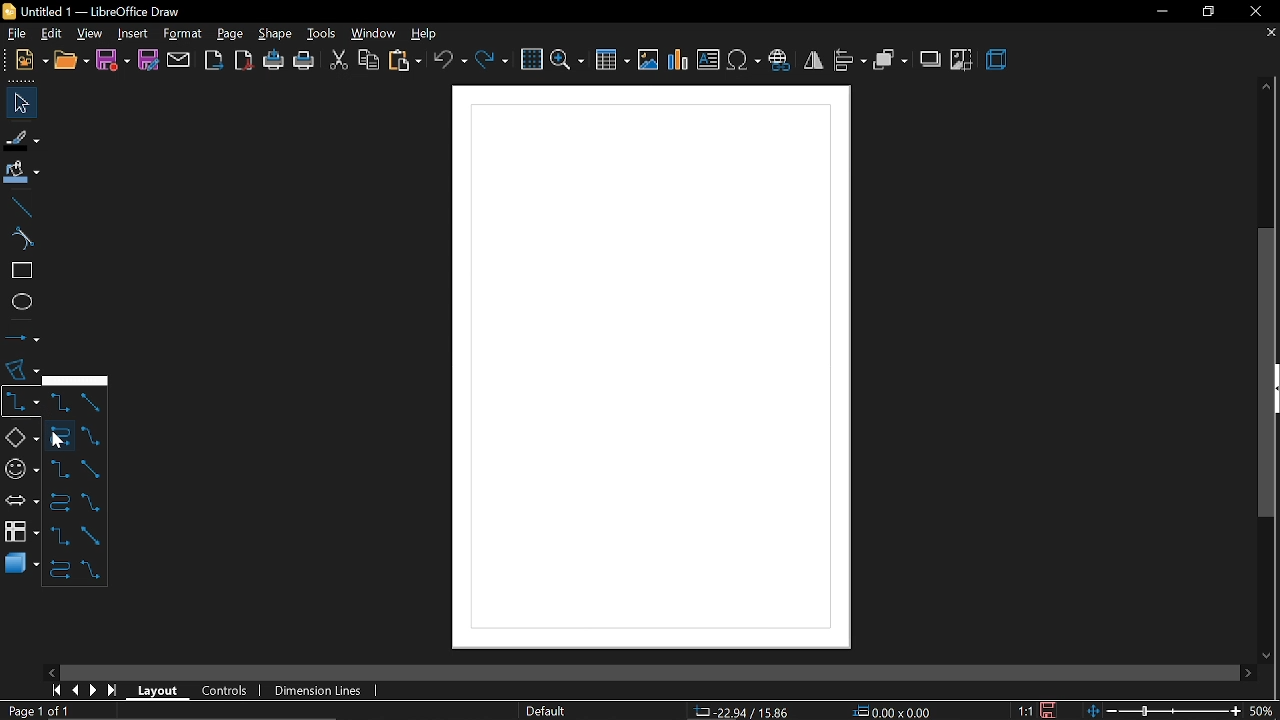 Image resolution: width=1280 pixels, height=720 pixels. What do you see at coordinates (1158, 12) in the screenshot?
I see `minimize` at bounding box center [1158, 12].